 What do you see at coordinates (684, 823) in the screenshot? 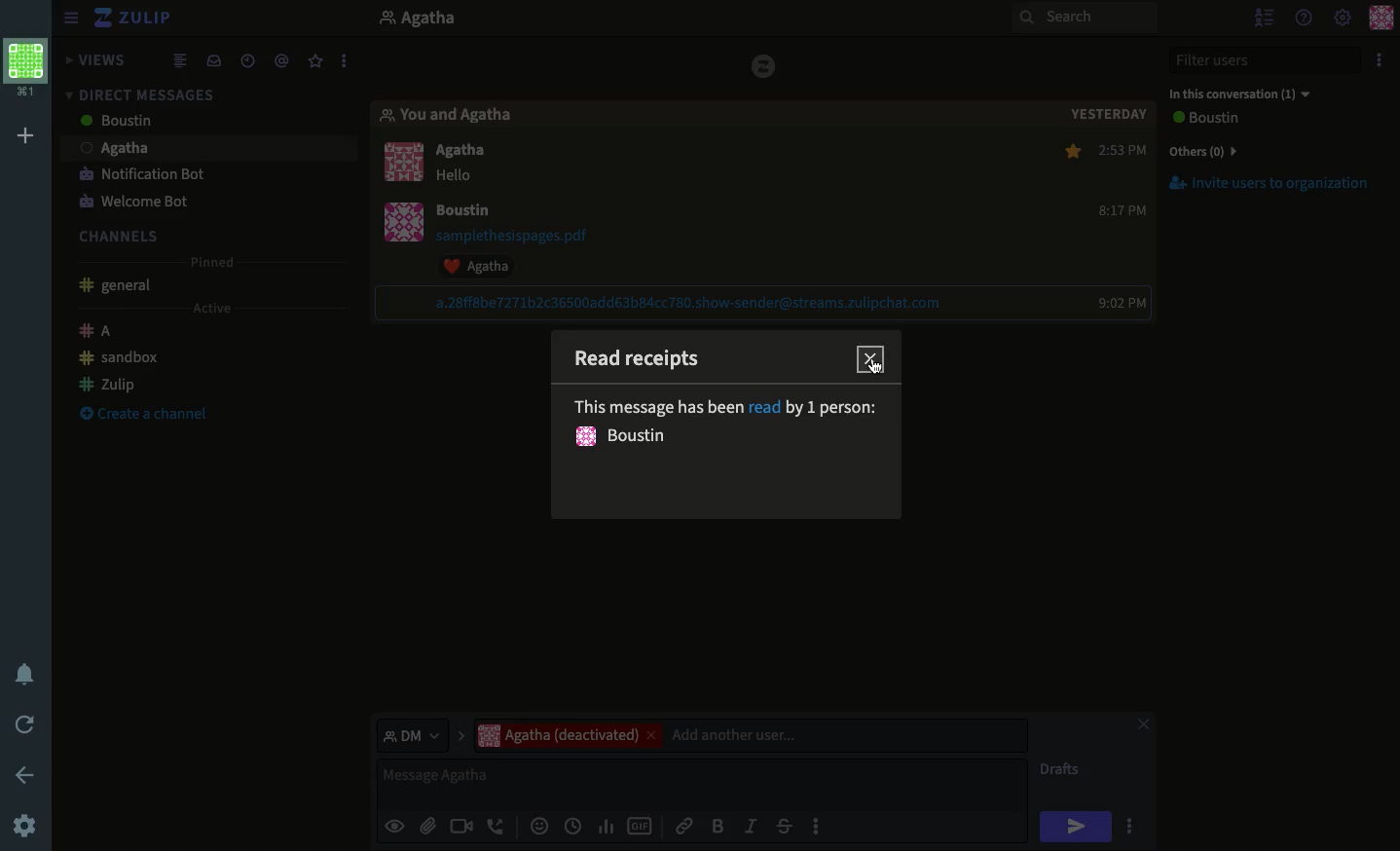
I see `Link` at bounding box center [684, 823].